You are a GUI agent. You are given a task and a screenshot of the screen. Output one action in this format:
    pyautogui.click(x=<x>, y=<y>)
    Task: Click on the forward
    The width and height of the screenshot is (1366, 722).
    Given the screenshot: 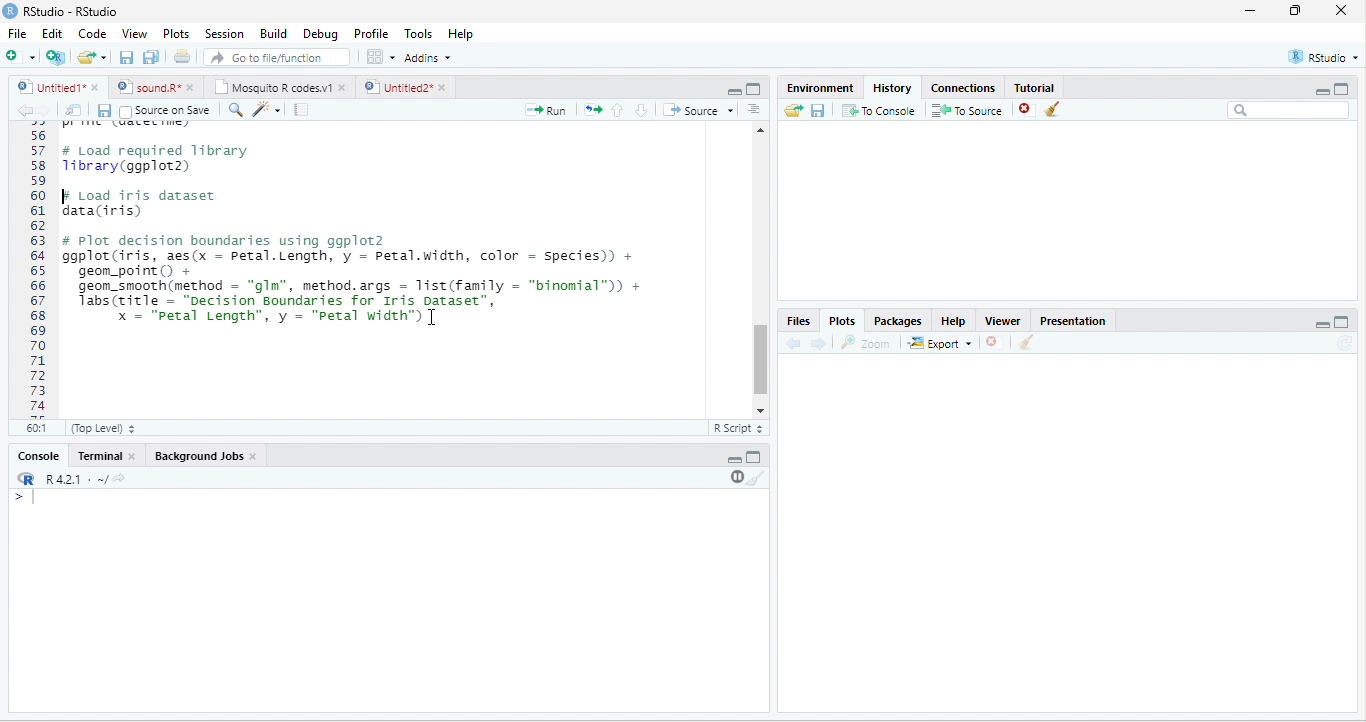 What is the action you would take?
    pyautogui.click(x=818, y=344)
    